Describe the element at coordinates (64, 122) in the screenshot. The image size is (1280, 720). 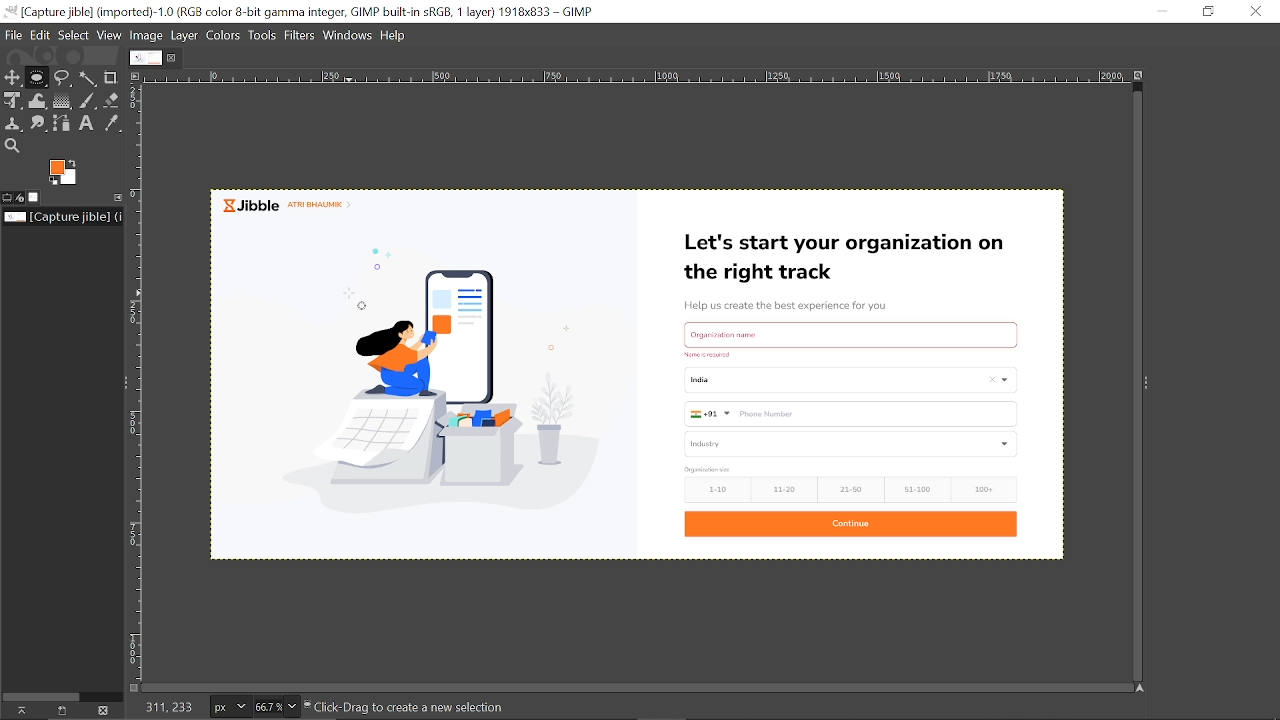
I see `Paths tool` at that location.